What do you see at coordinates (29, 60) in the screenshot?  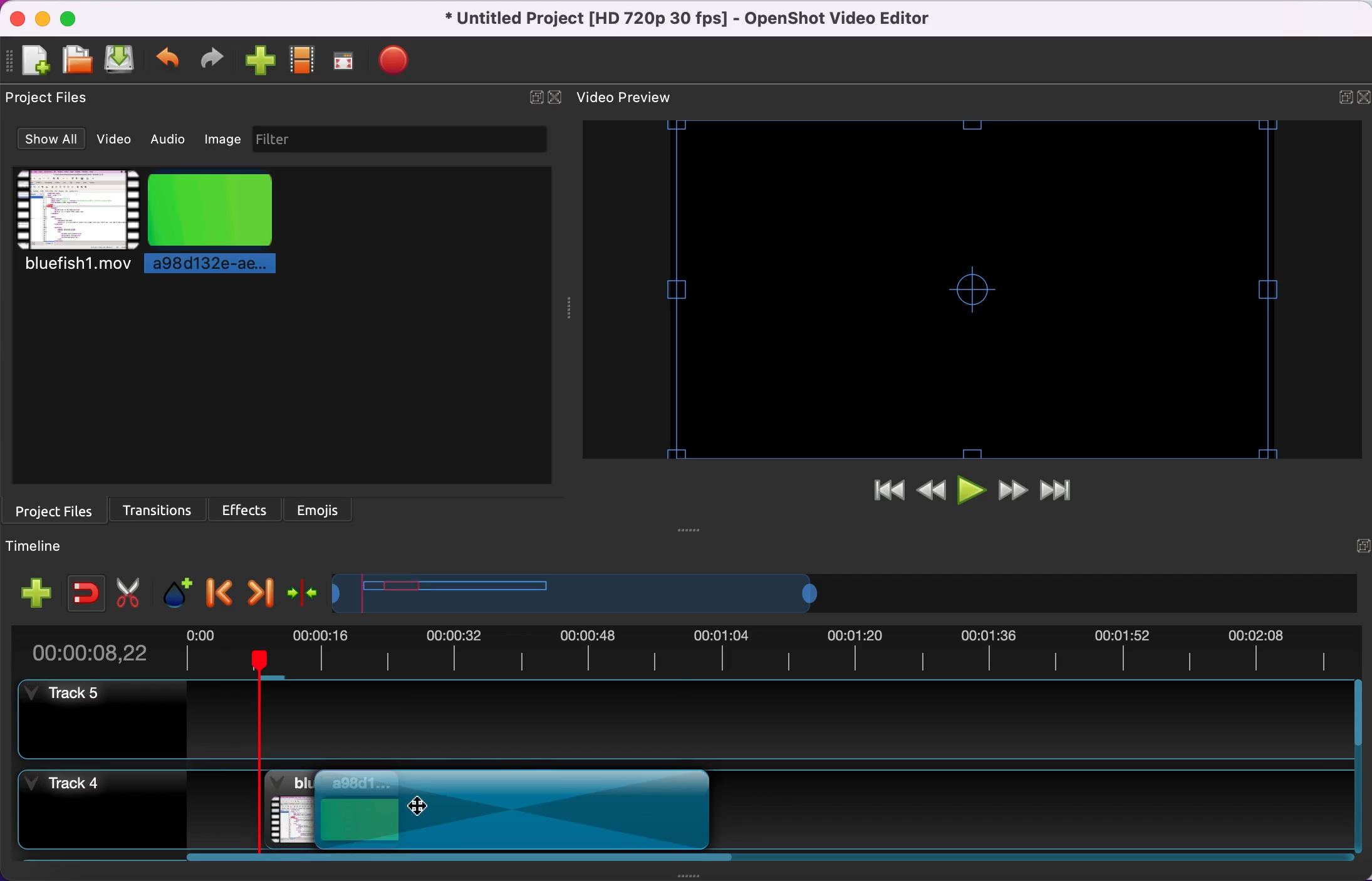 I see `add file` at bounding box center [29, 60].